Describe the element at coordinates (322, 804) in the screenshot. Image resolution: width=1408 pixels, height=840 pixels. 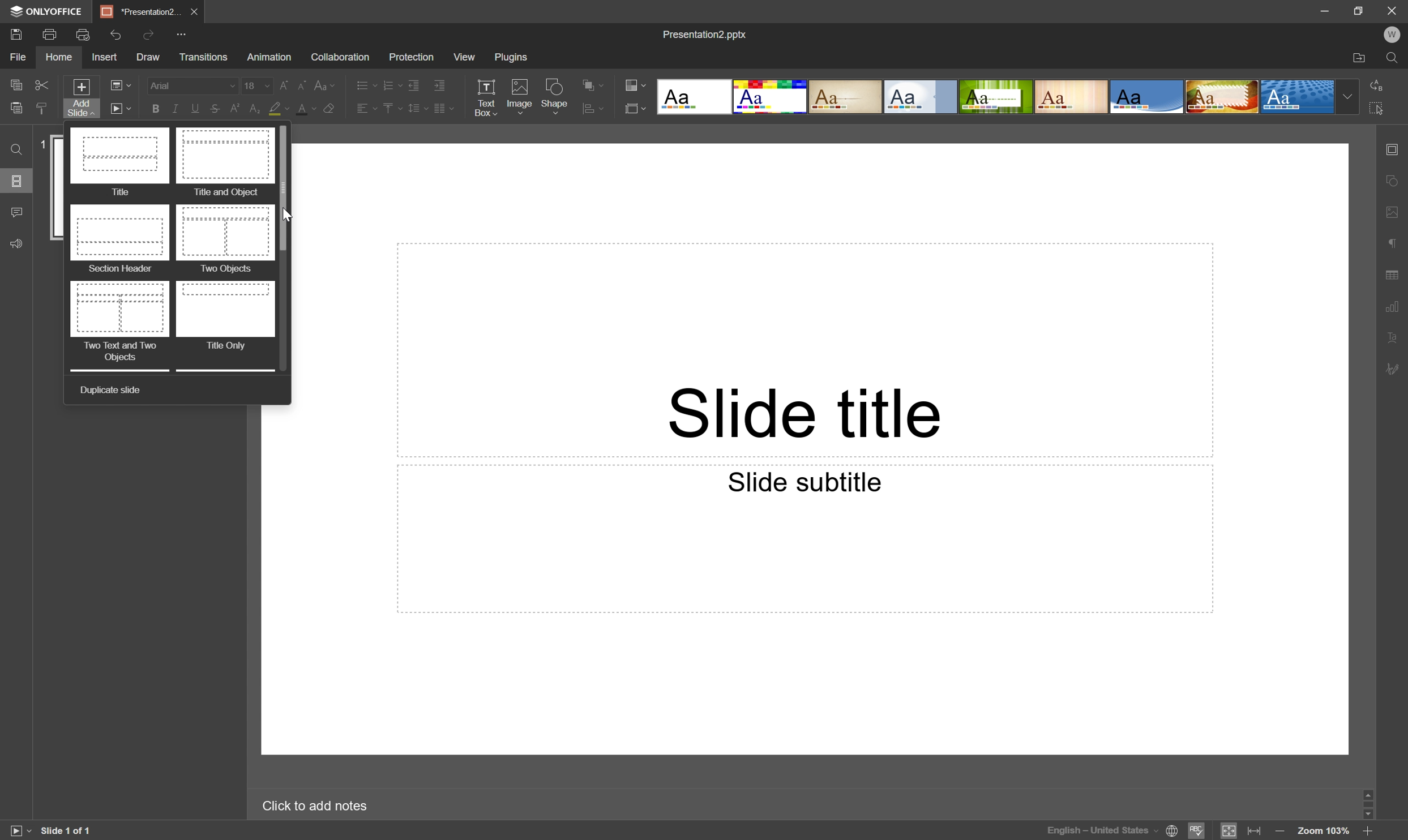
I see `Click to add notes` at that location.